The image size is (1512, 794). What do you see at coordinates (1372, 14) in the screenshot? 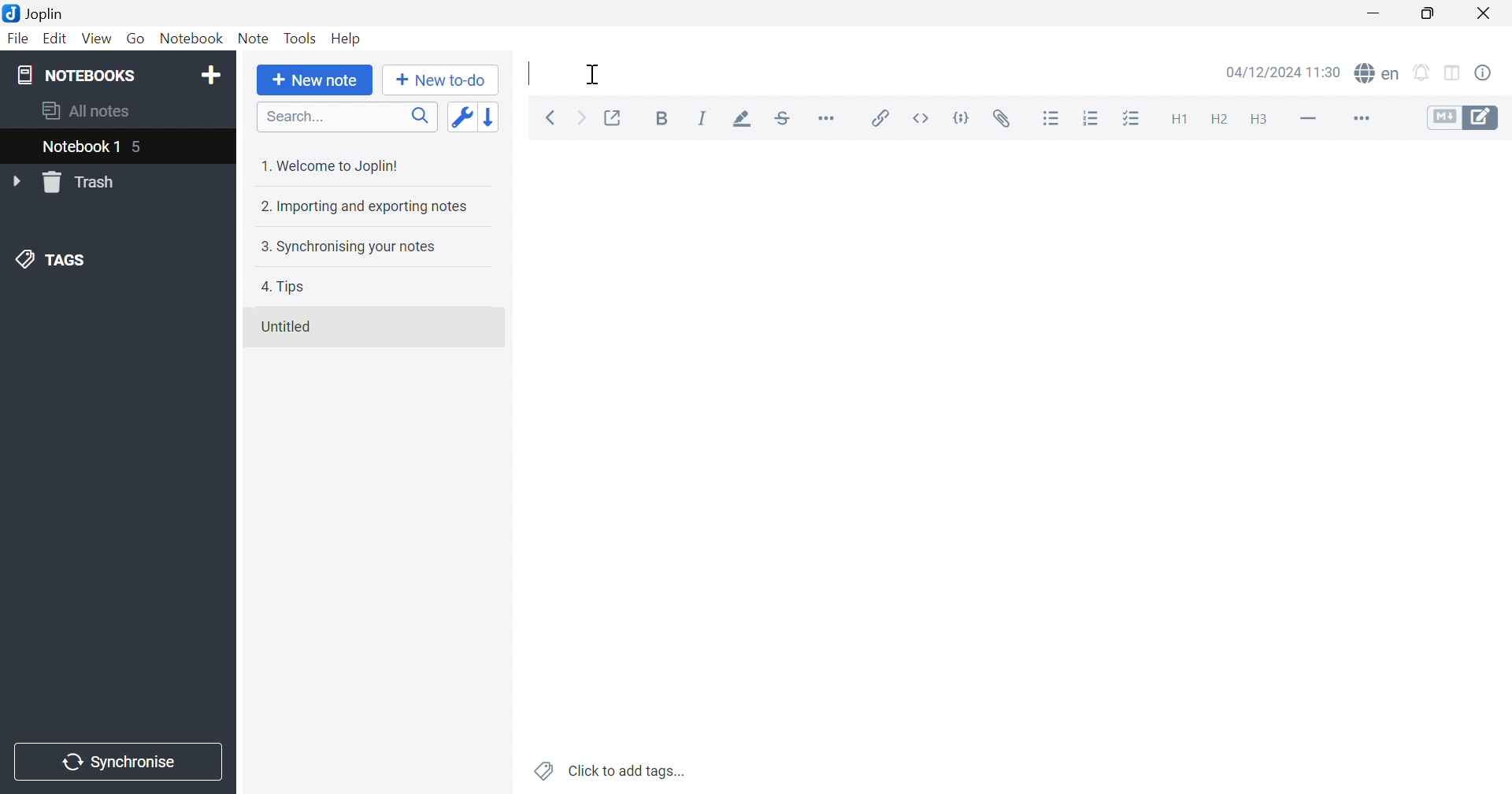
I see `Minimize` at bounding box center [1372, 14].